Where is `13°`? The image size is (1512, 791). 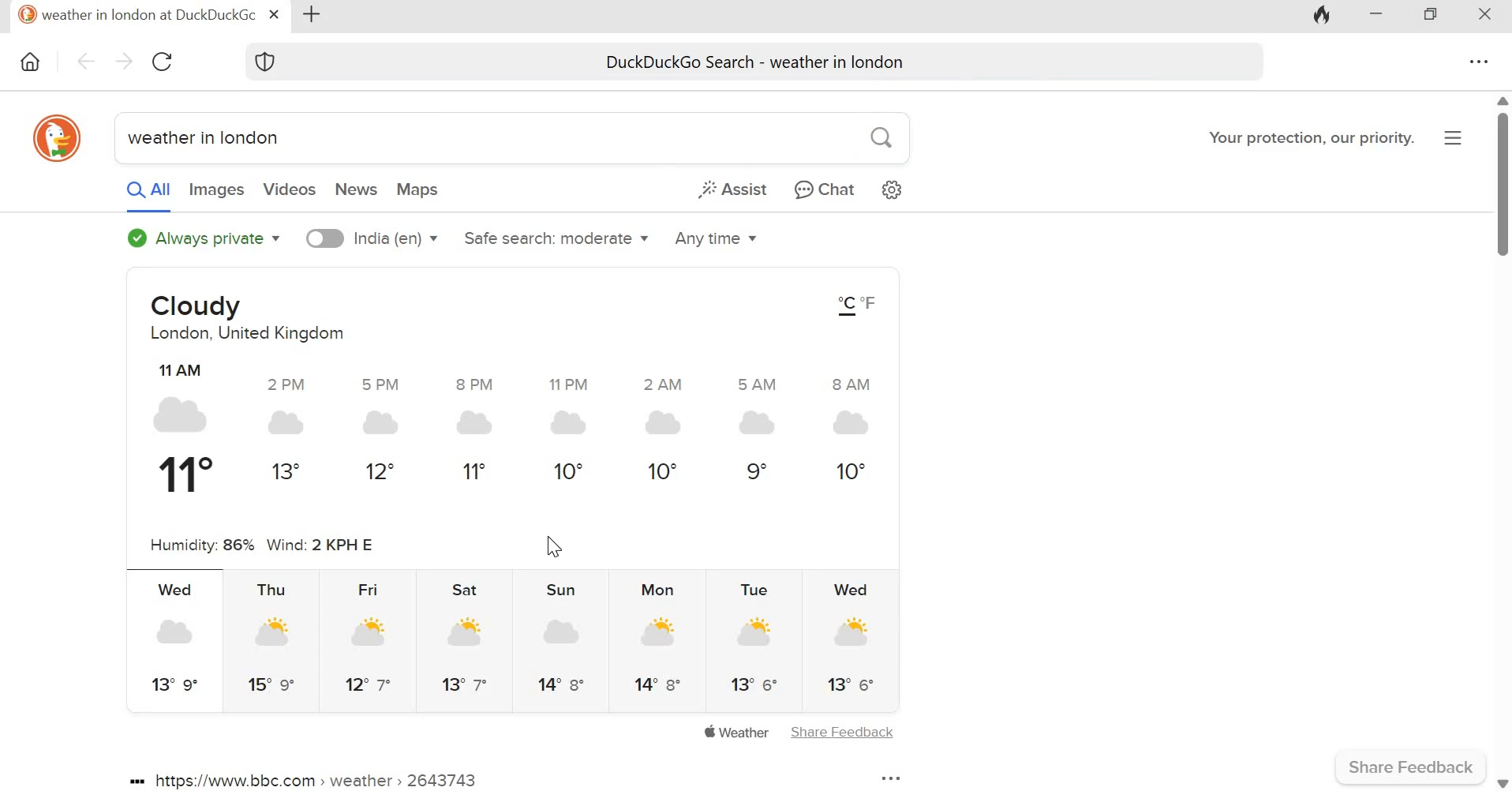 13° is located at coordinates (286, 471).